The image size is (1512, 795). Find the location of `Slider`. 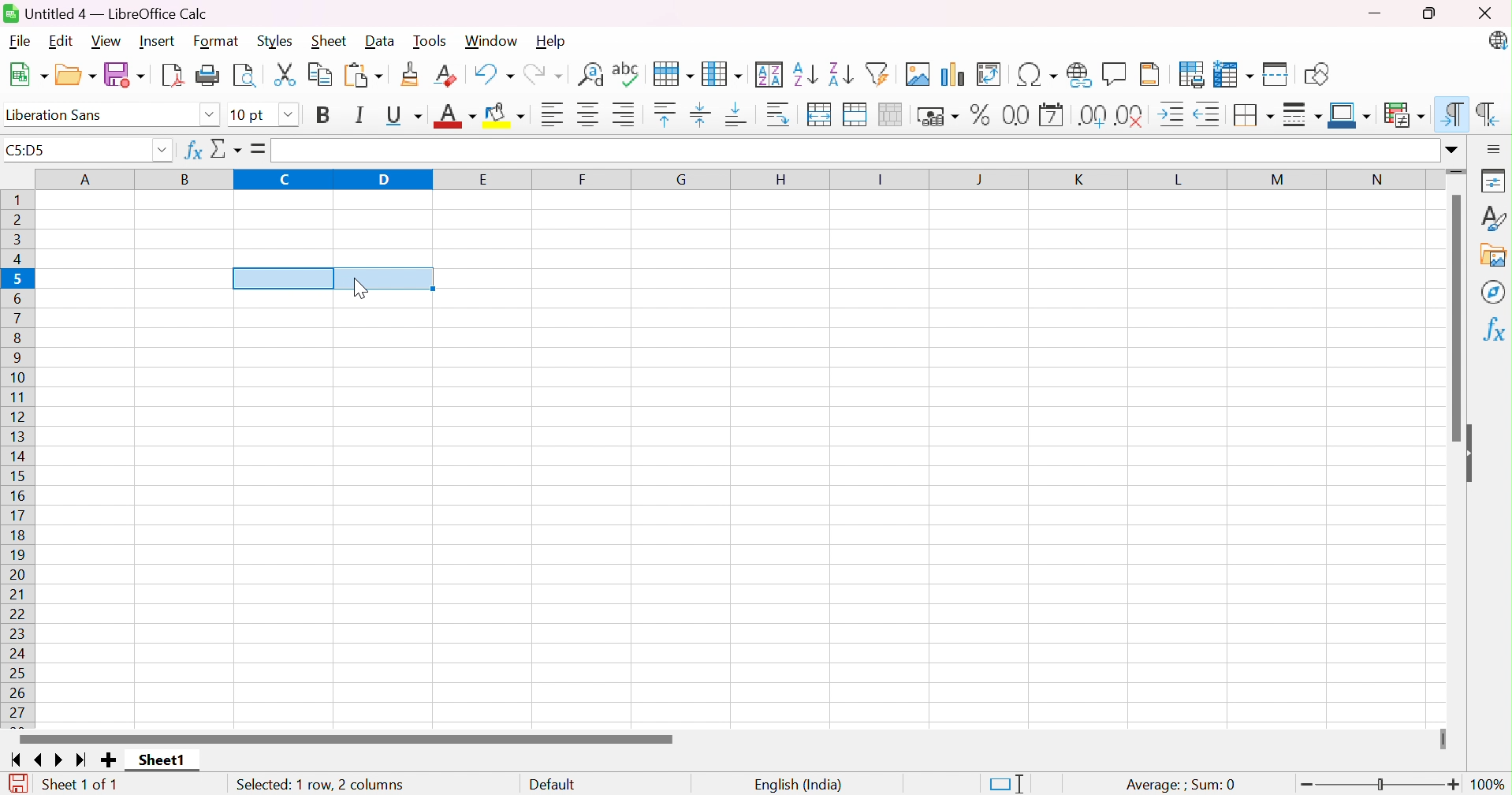

Slider is located at coordinates (1443, 740).